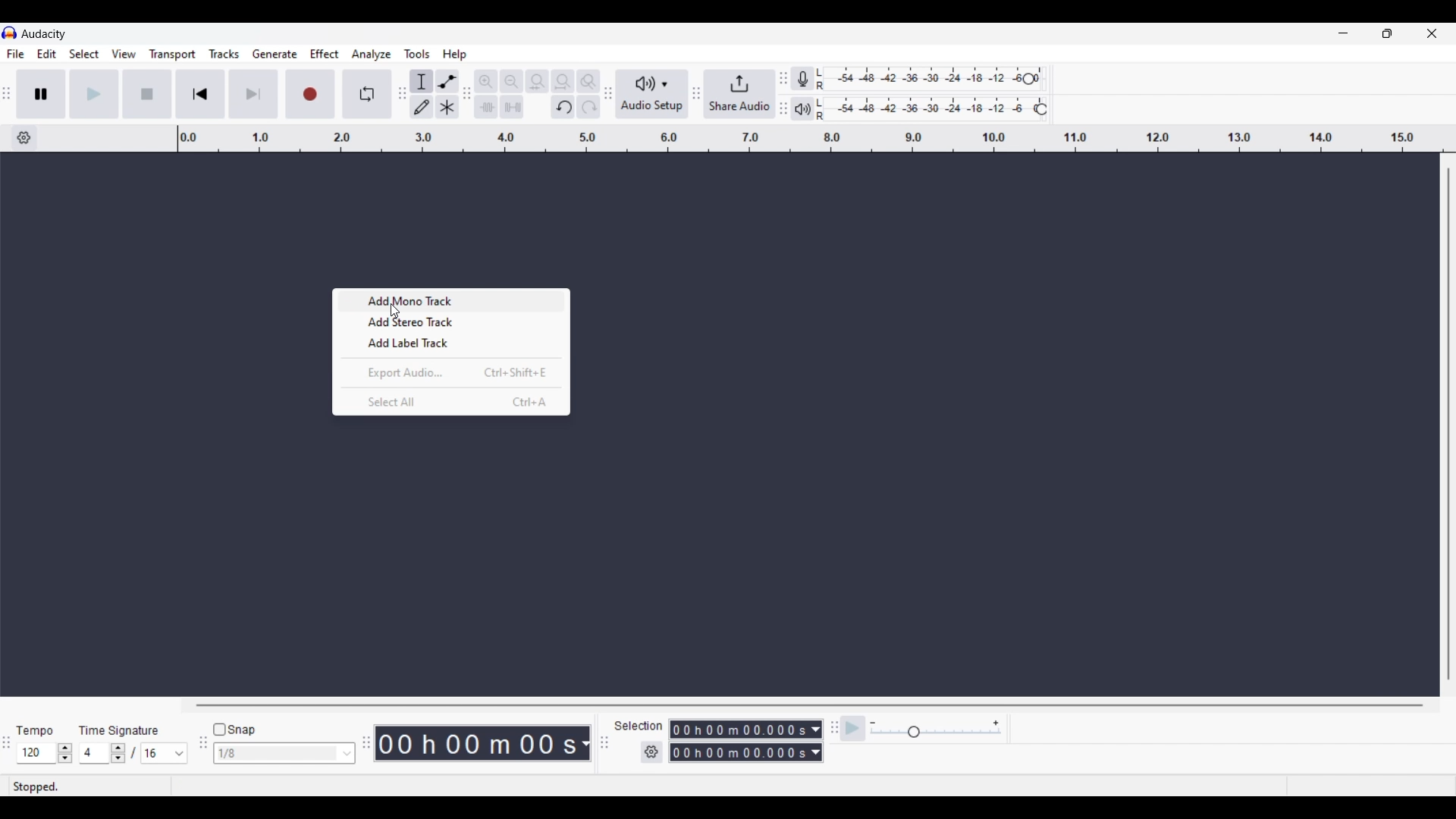 The height and width of the screenshot is (819, 1456). I want to click on Cursor selecting Add Mono Track, so click(394, 311).